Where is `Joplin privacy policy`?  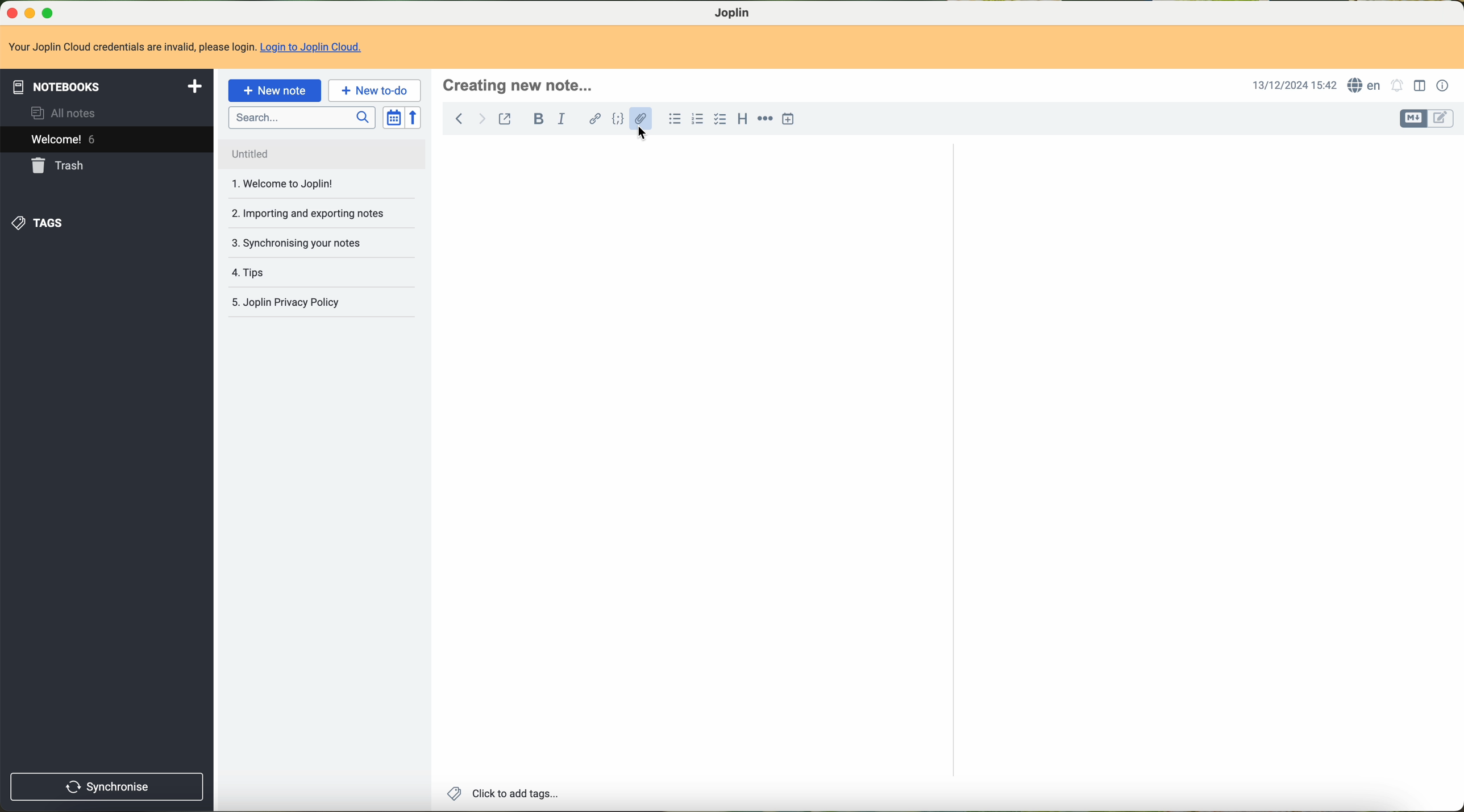
Joplin privacy policy is located at coordinates (285, 301).